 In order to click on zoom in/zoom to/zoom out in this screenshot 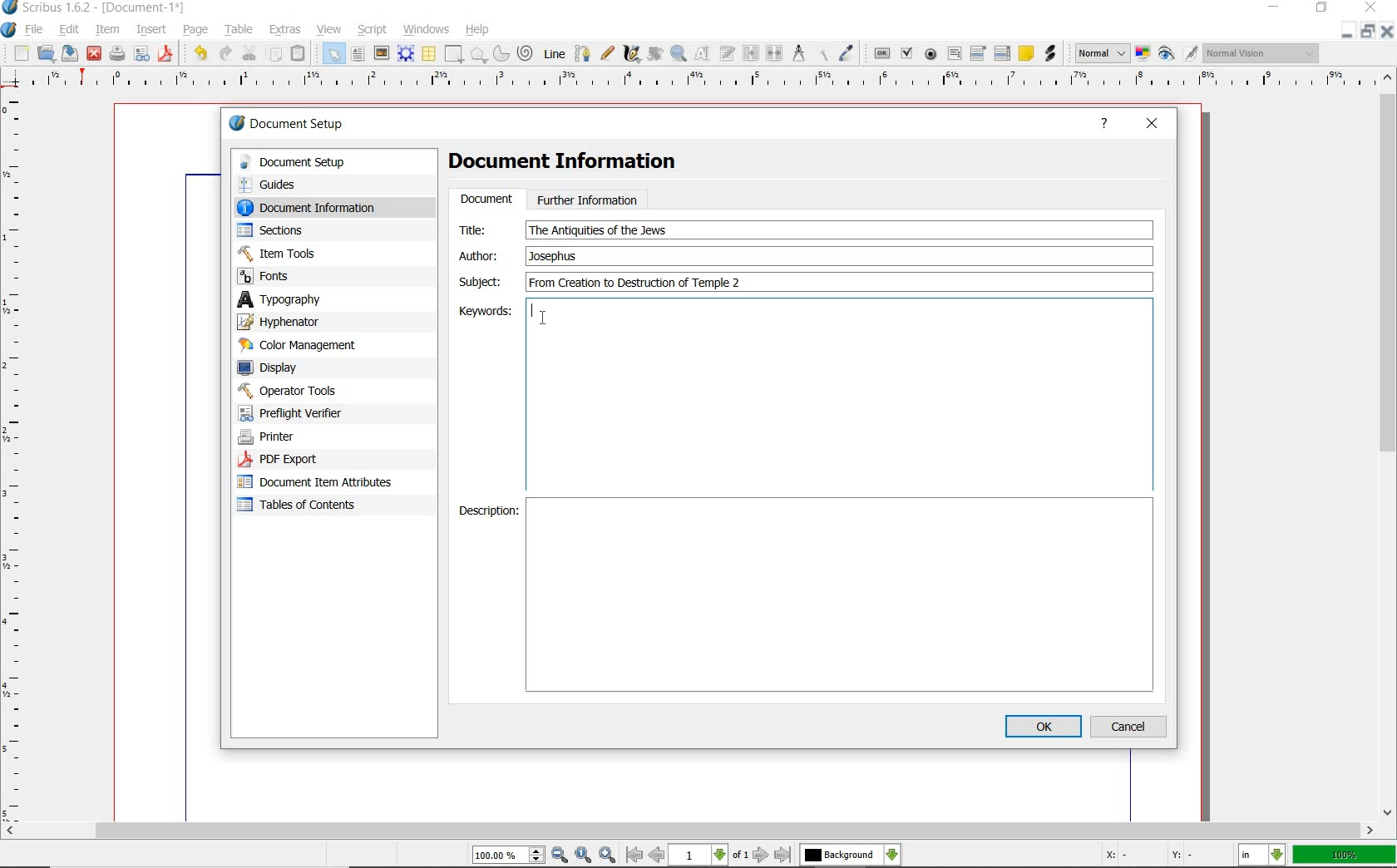, I will do `click(546, 855)`.